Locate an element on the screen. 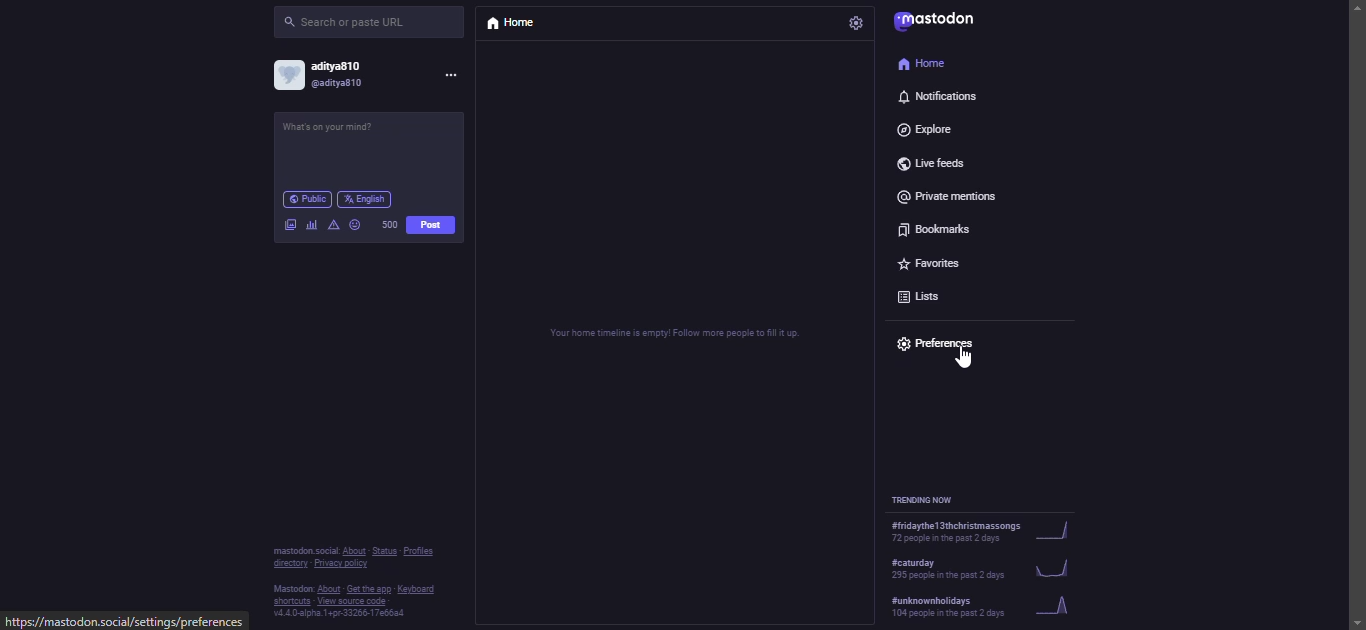 The height and width of the screenshot is (630, 1366). trending is located at coordinates (978, 533).